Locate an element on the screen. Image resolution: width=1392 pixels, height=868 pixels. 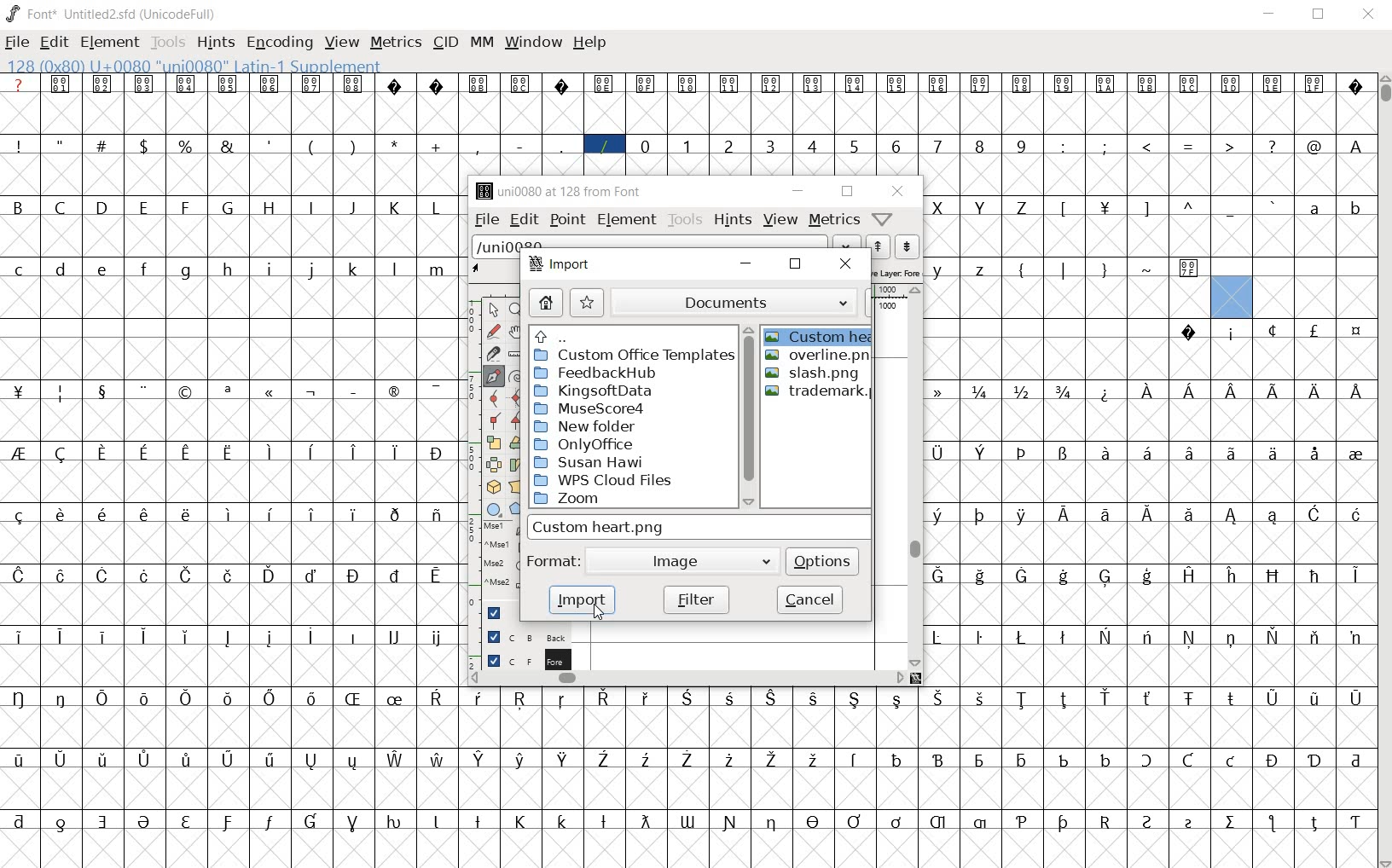
glyph is located at coordinates (687, 822).